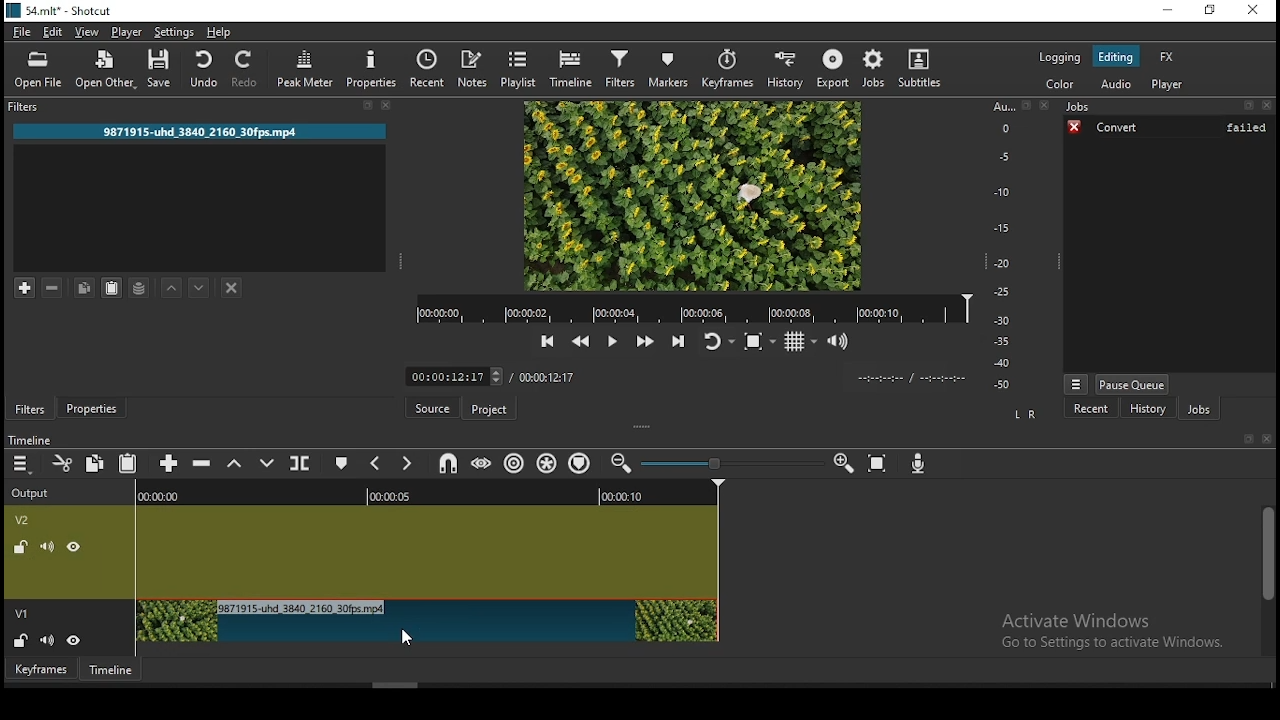 The width and height of the screenshot is (1280, 720). What do you see at coordinates (169, 466) in the screenshot?
I see `append` at bounding box center [169, 466].